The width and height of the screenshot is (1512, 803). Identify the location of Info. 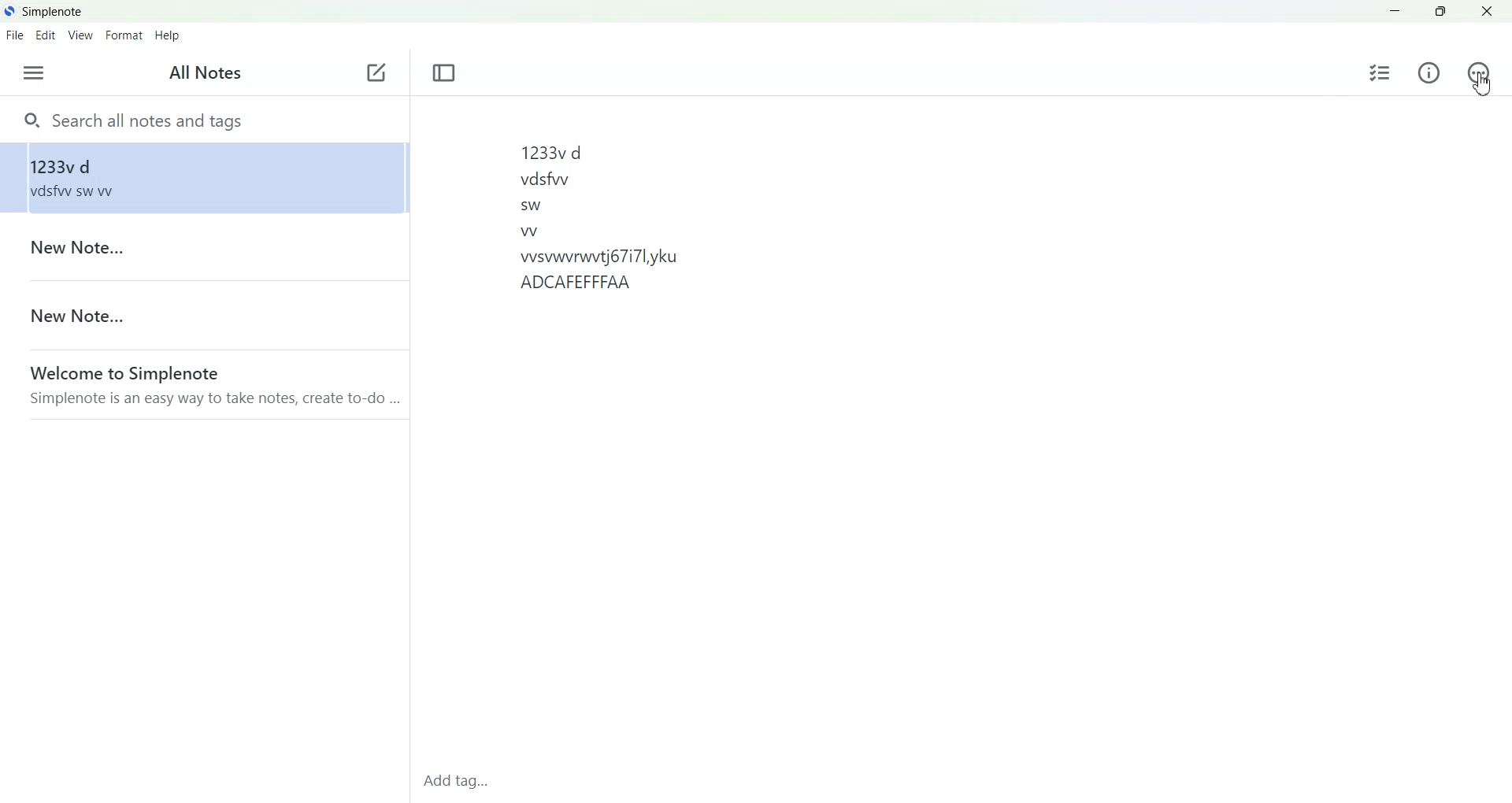
(1429, 73).